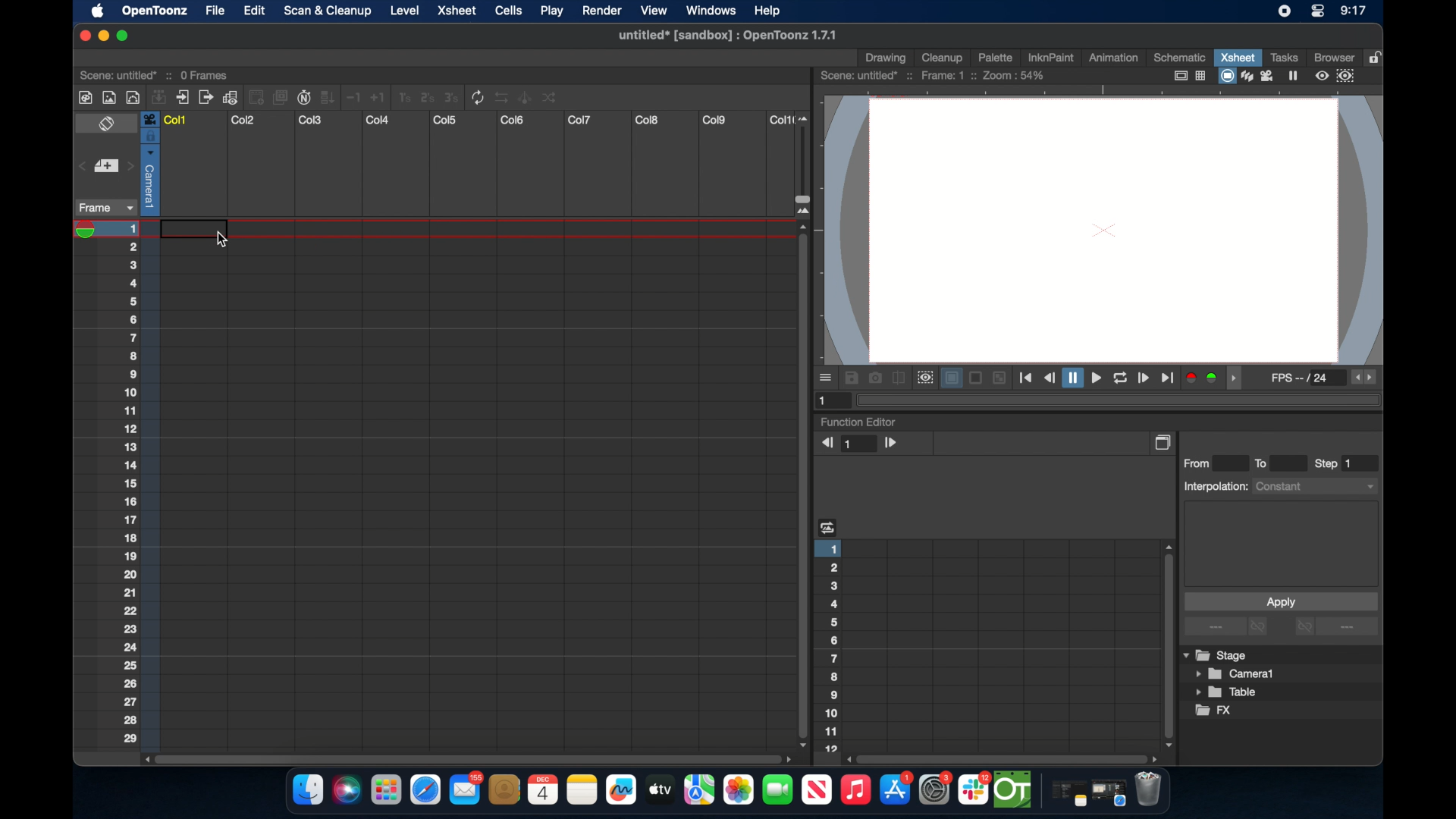 The image size is (1456, 819). I want to click on more tools, so click(319, 96).